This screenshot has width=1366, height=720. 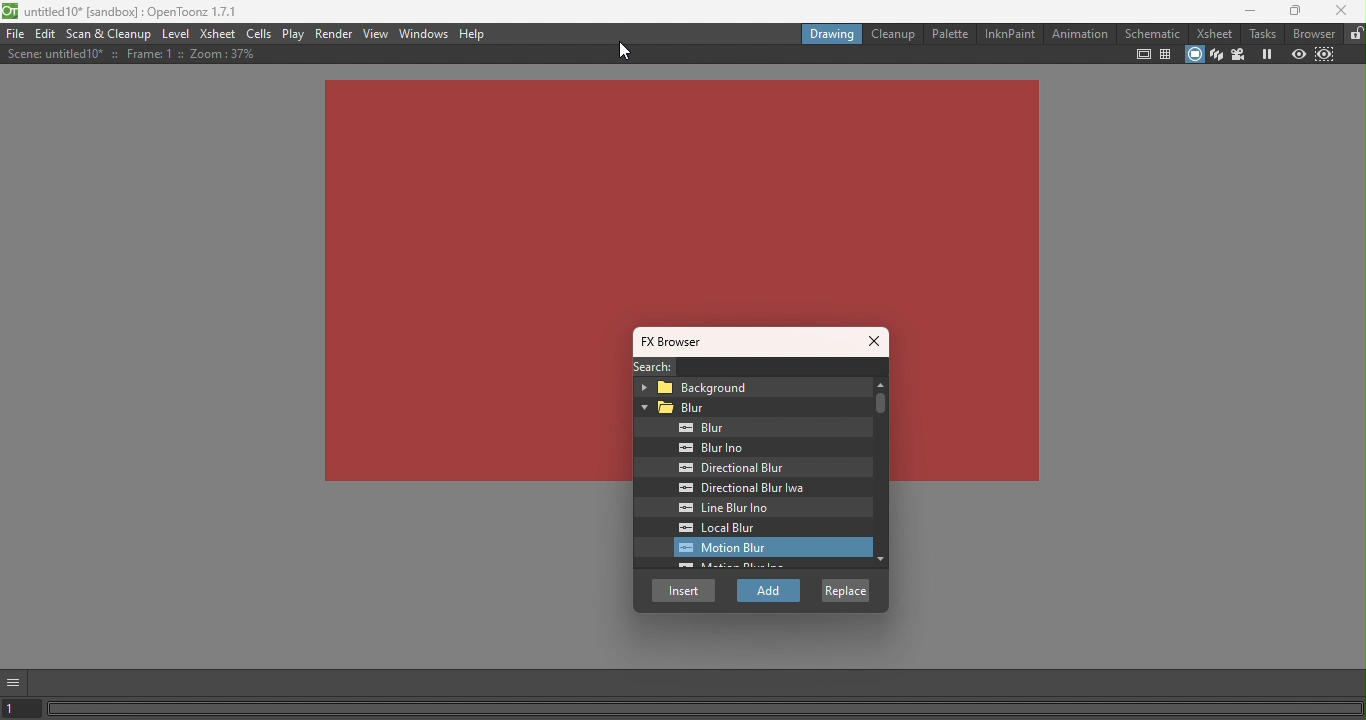 What do you see at coordinates (1240, 53) in the screenshot?
I see `Camera view` at bounding box center [1240, 53].